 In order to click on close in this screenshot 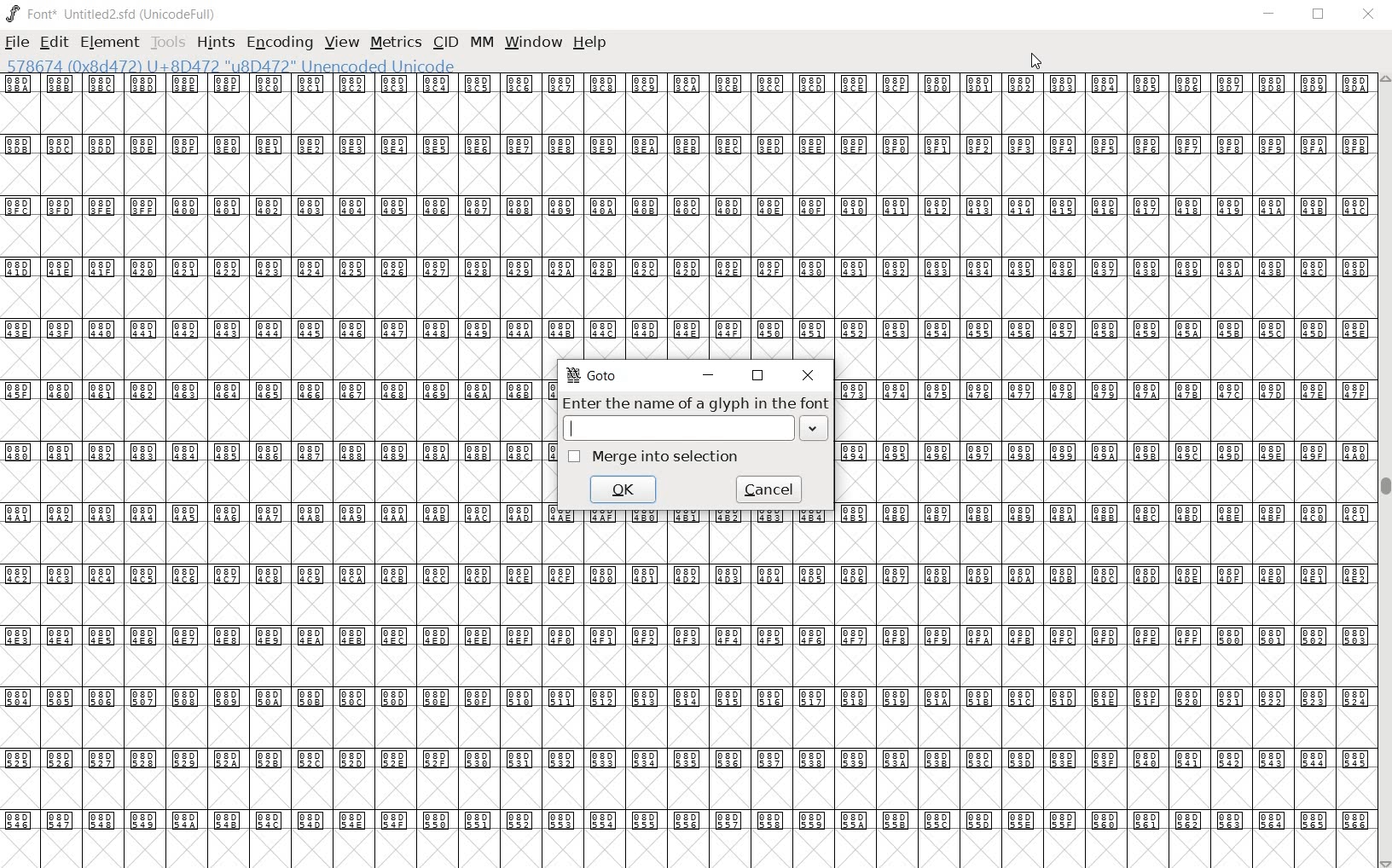, I will do `click(1368, 14)`.